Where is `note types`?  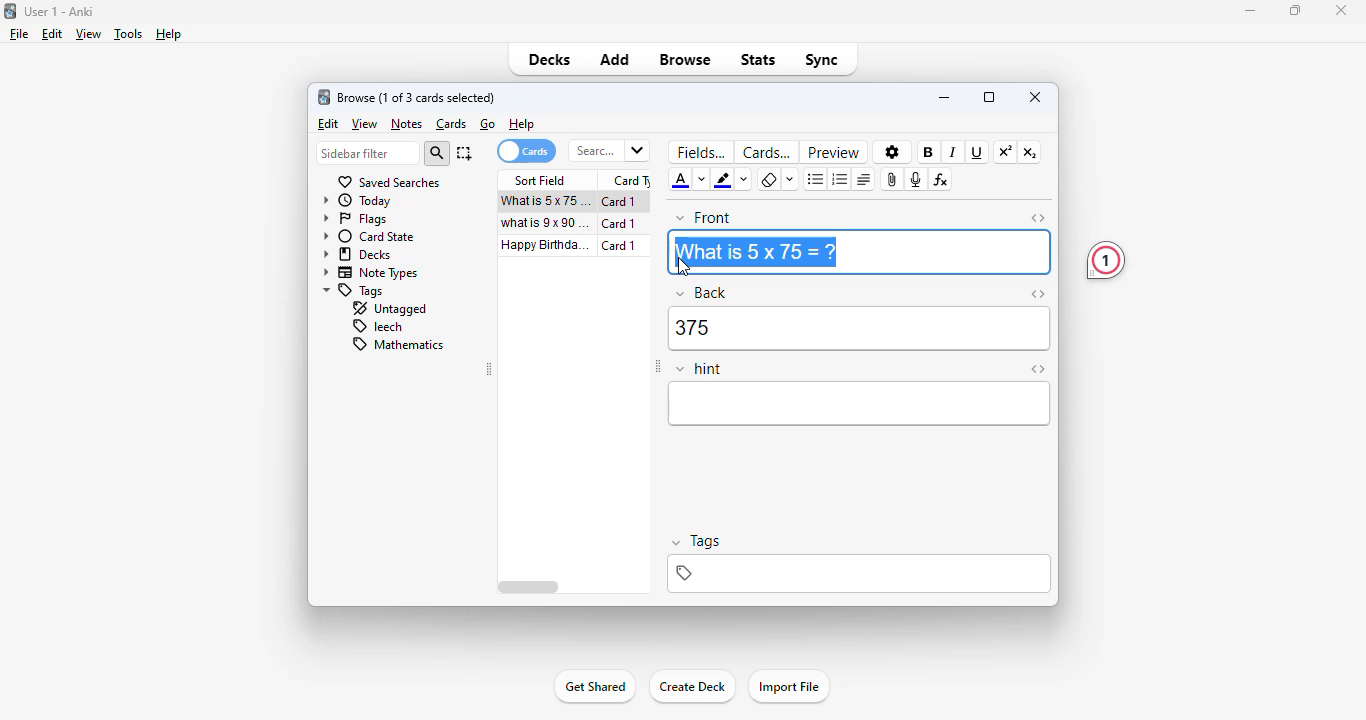
note types is located at coordinates (368, 273).